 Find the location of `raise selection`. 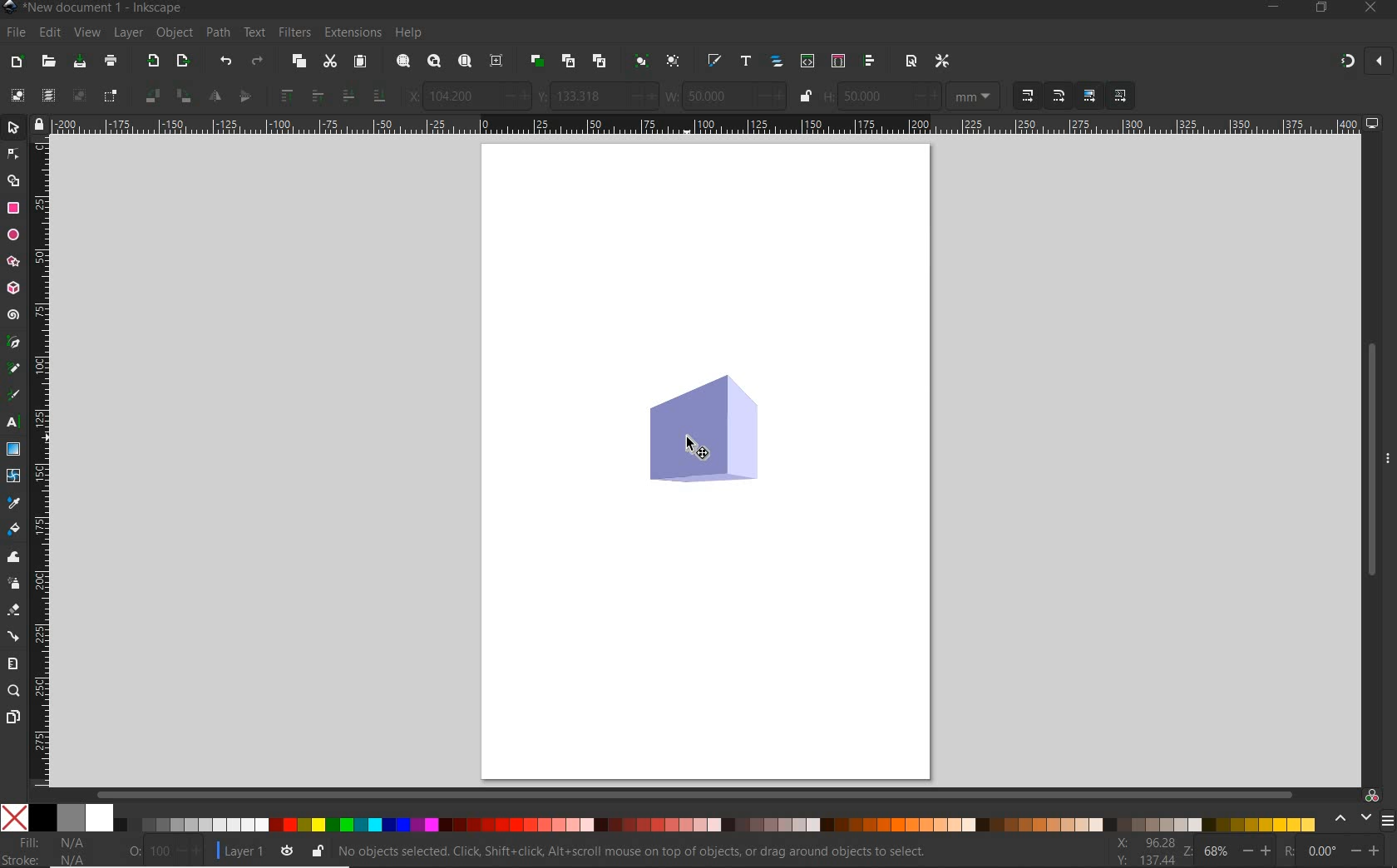

raise selection is located at coordinates (315, 96).